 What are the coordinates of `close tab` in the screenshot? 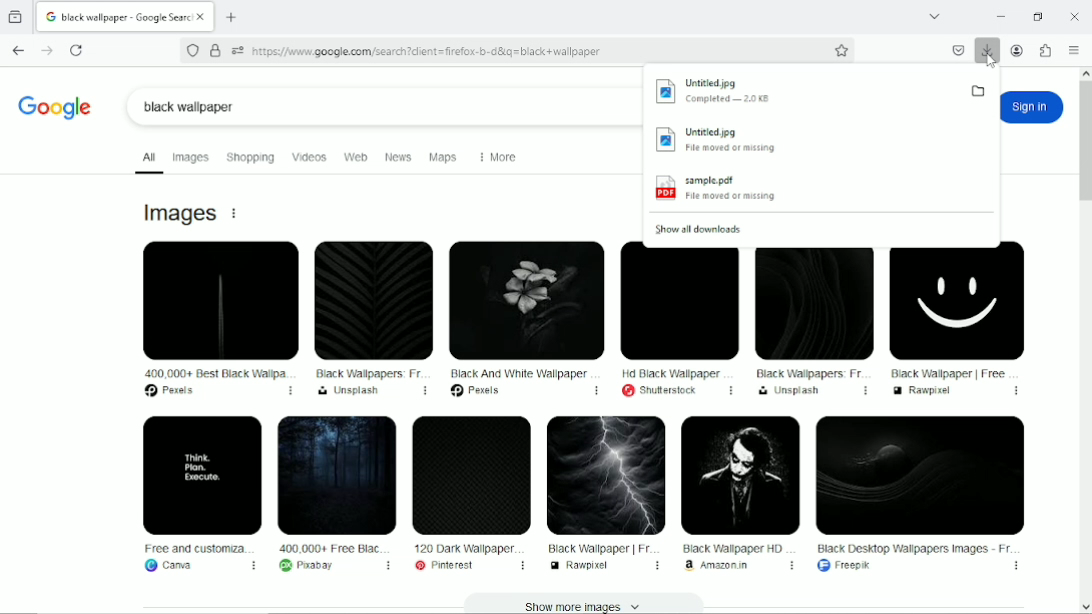 It's located at (204, 16).